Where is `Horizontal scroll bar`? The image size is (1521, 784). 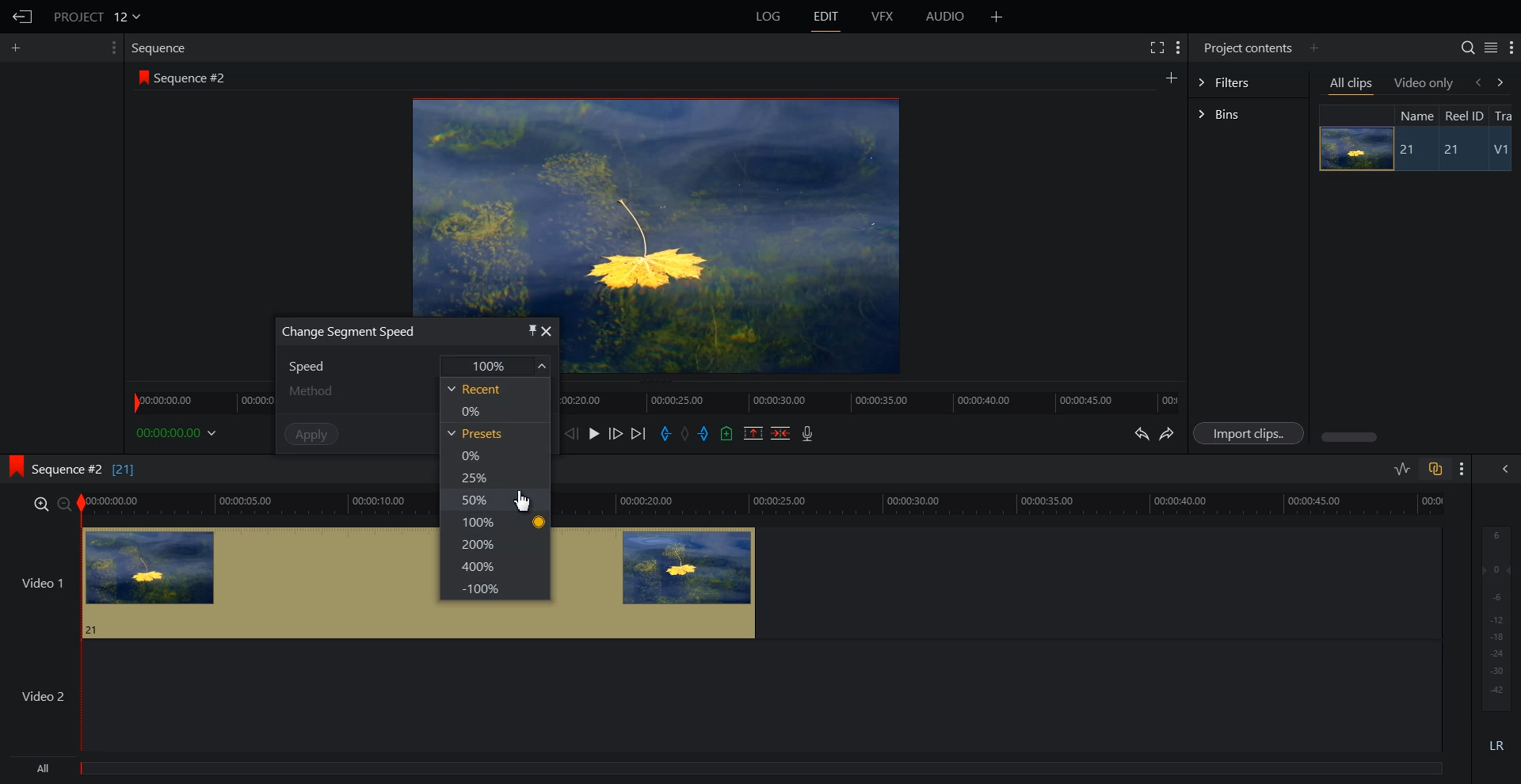 Horizontal scroll bar is located at coordinates (1351, 437).